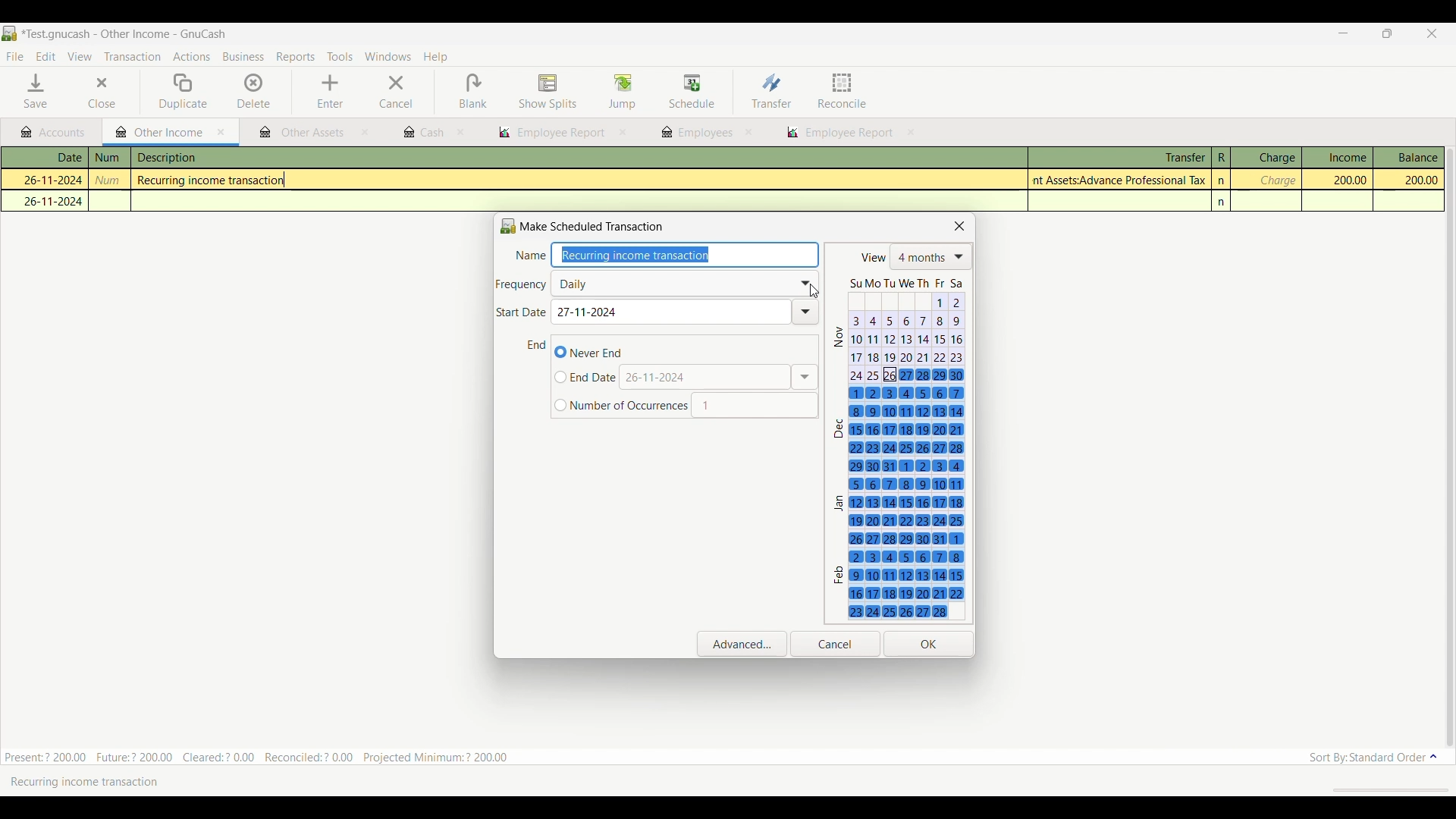  I want to click on Charge column, so click(1266, 158).